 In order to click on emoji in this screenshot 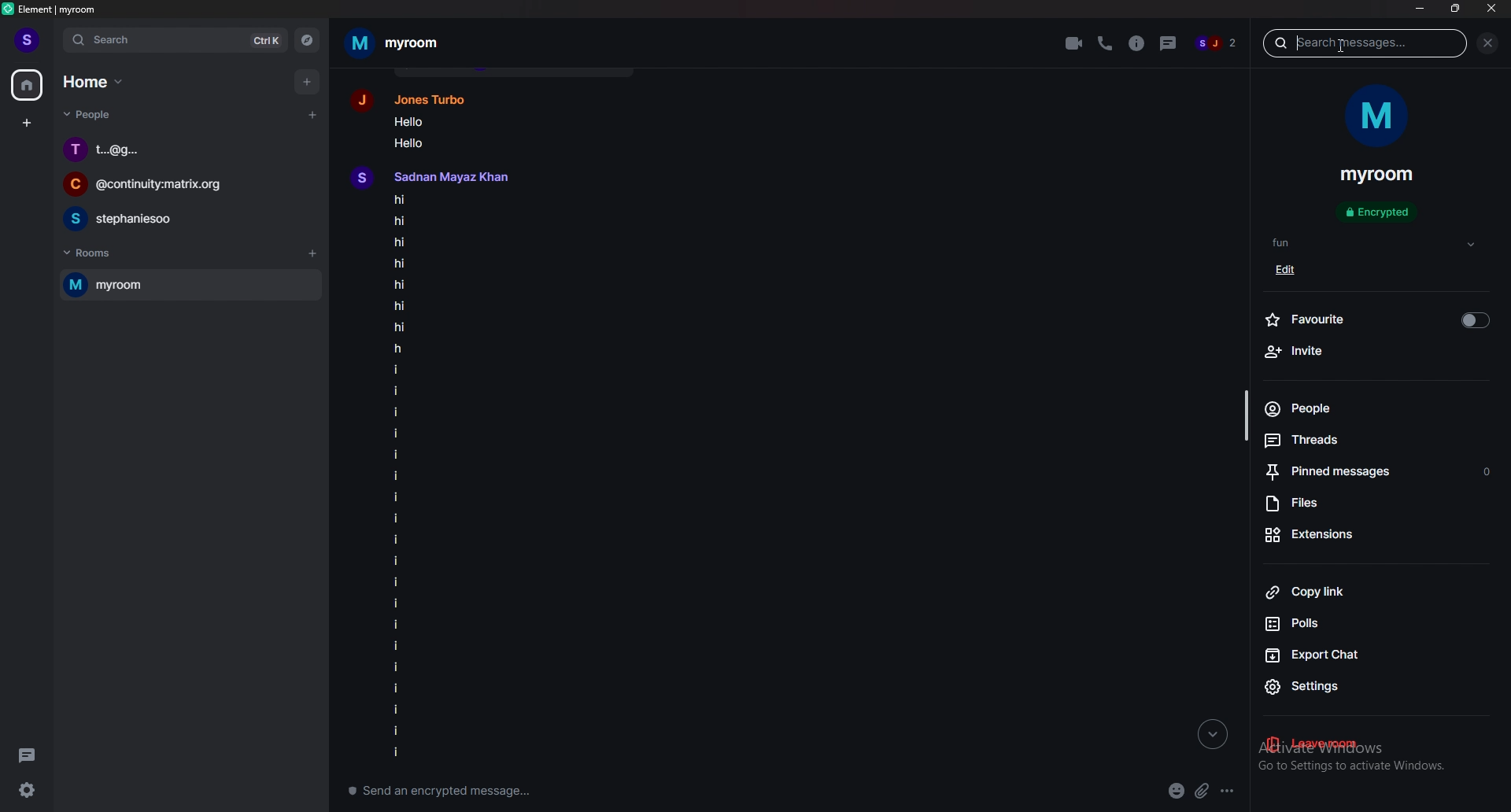, I will do `click(1178, 792)`.